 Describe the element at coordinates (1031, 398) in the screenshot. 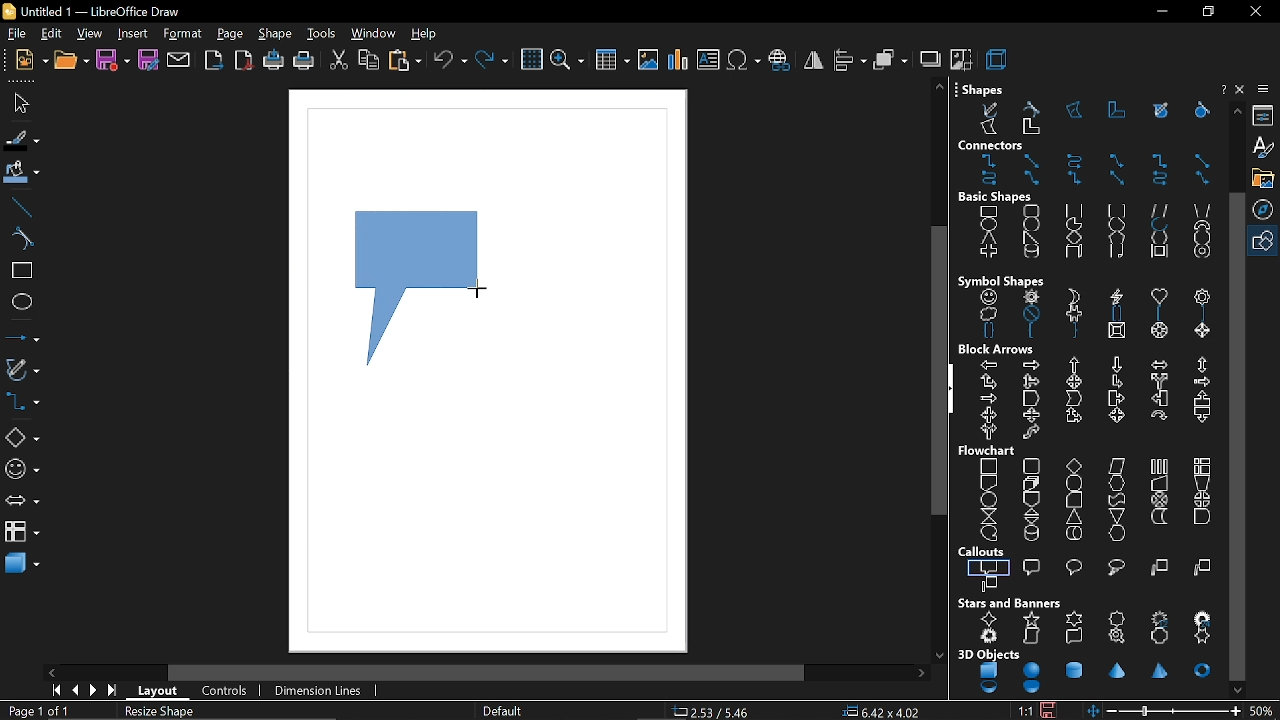

I see `pentagon` at that location.